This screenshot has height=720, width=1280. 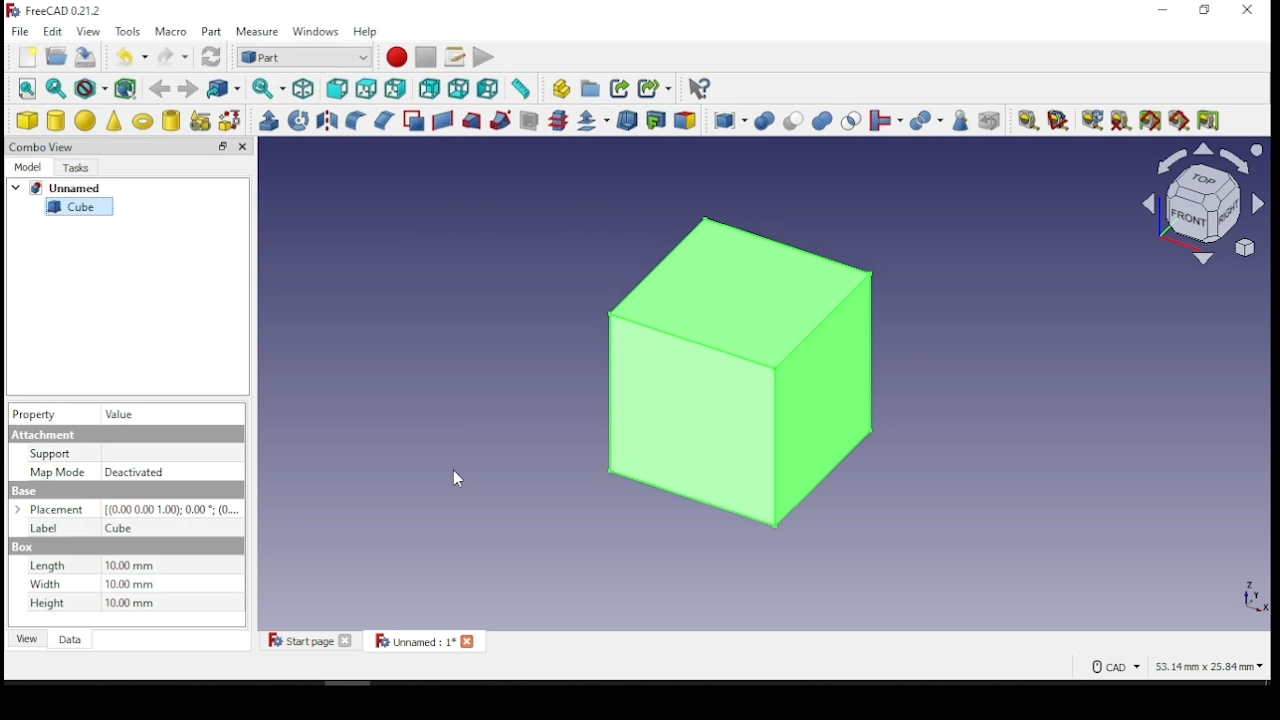 What do you see at coordinates (28, 88) in the screenshot?
I see `fit all` at bounding box center [28, 88].